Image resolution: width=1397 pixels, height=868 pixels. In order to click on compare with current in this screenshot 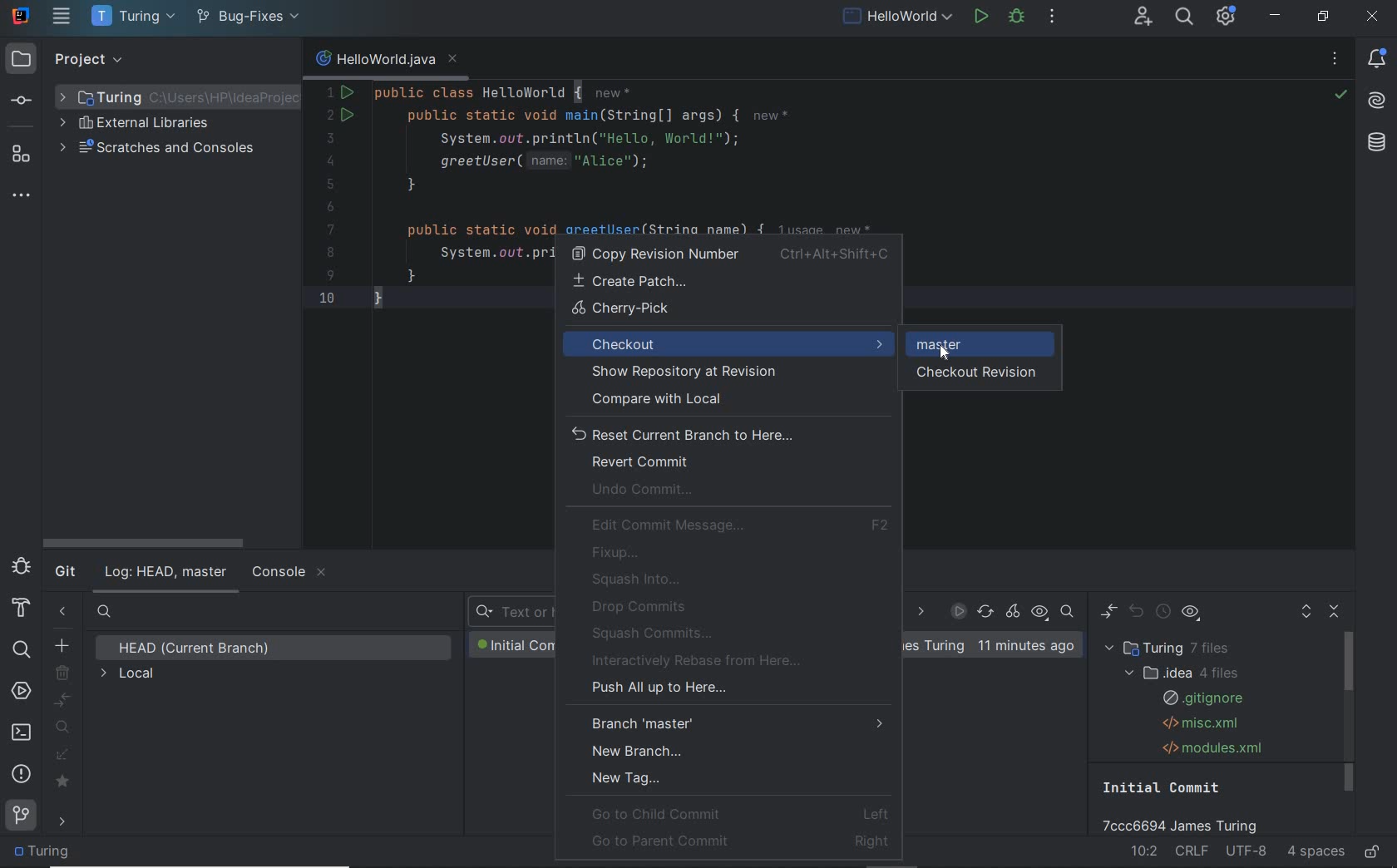, I will do `click(64, 701)`.